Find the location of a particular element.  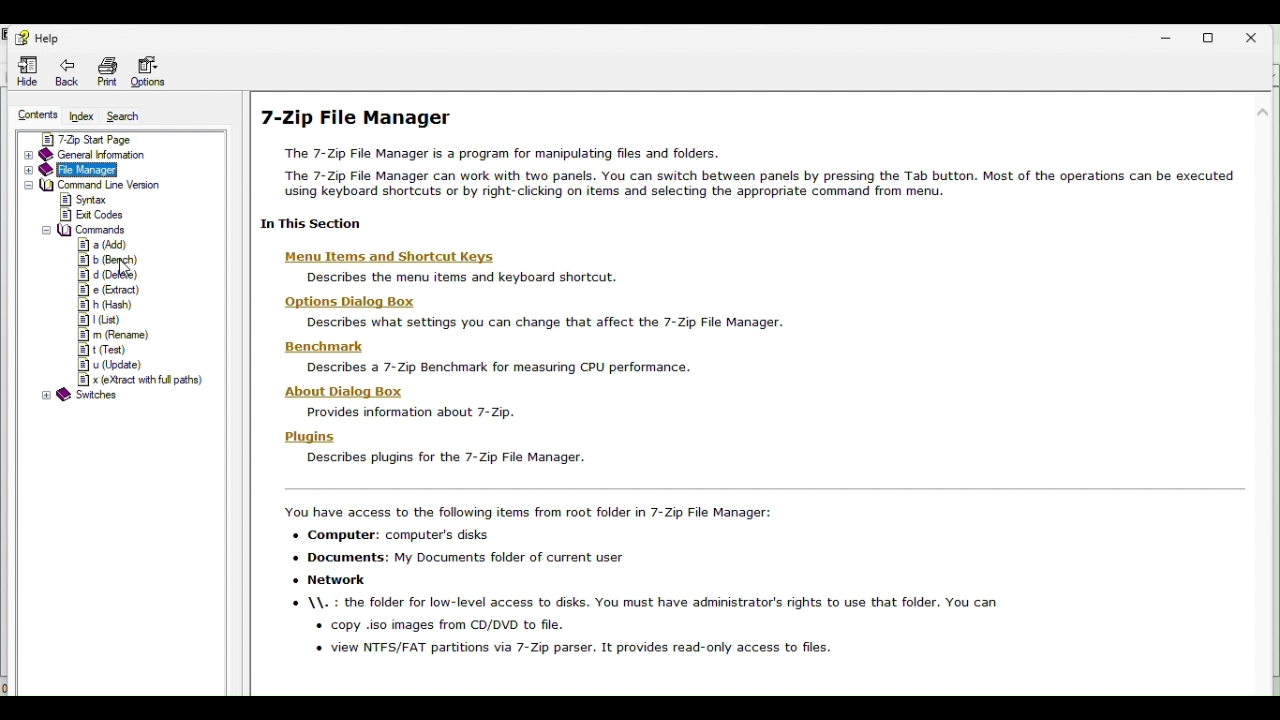

t is located at coordinates (113, 350).